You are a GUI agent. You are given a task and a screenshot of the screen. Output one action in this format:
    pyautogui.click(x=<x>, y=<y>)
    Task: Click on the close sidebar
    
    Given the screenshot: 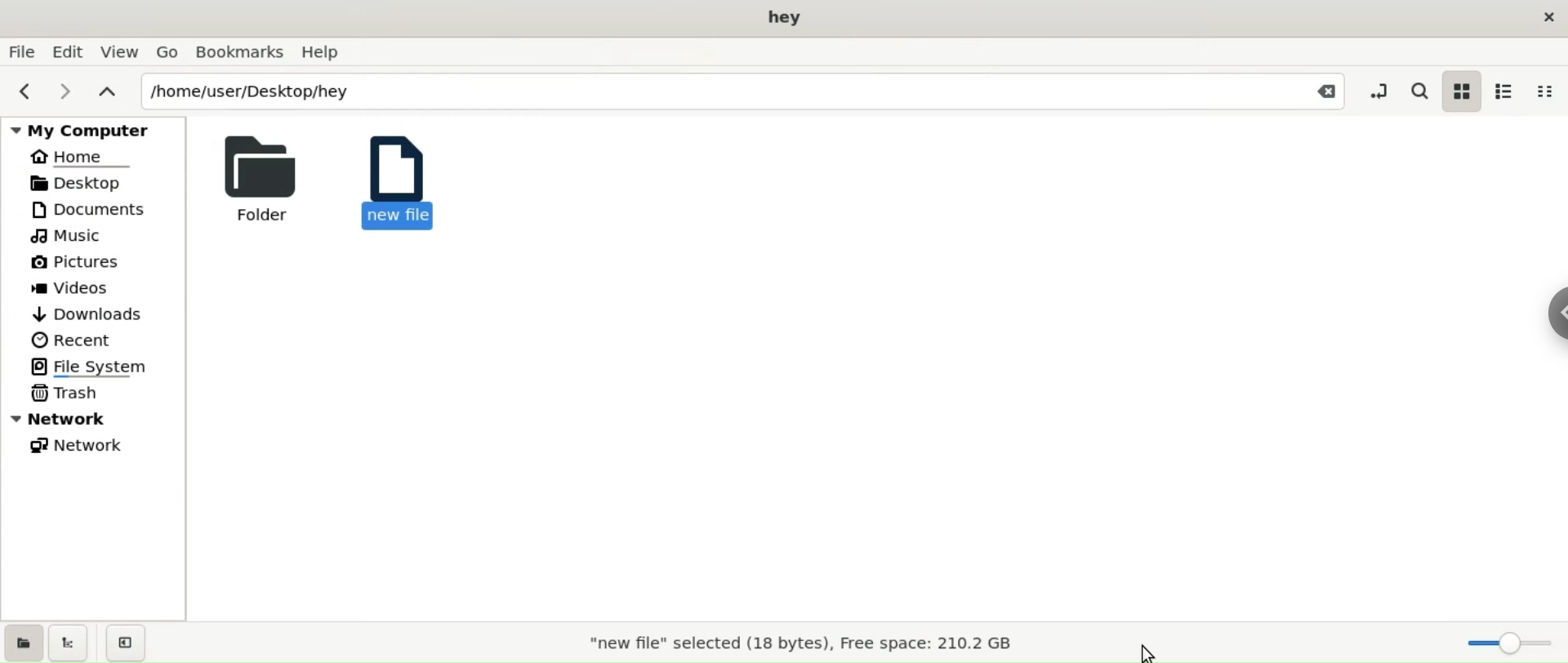 What is the action you would take?
    pyautogui.click(x=127, y=643)
    